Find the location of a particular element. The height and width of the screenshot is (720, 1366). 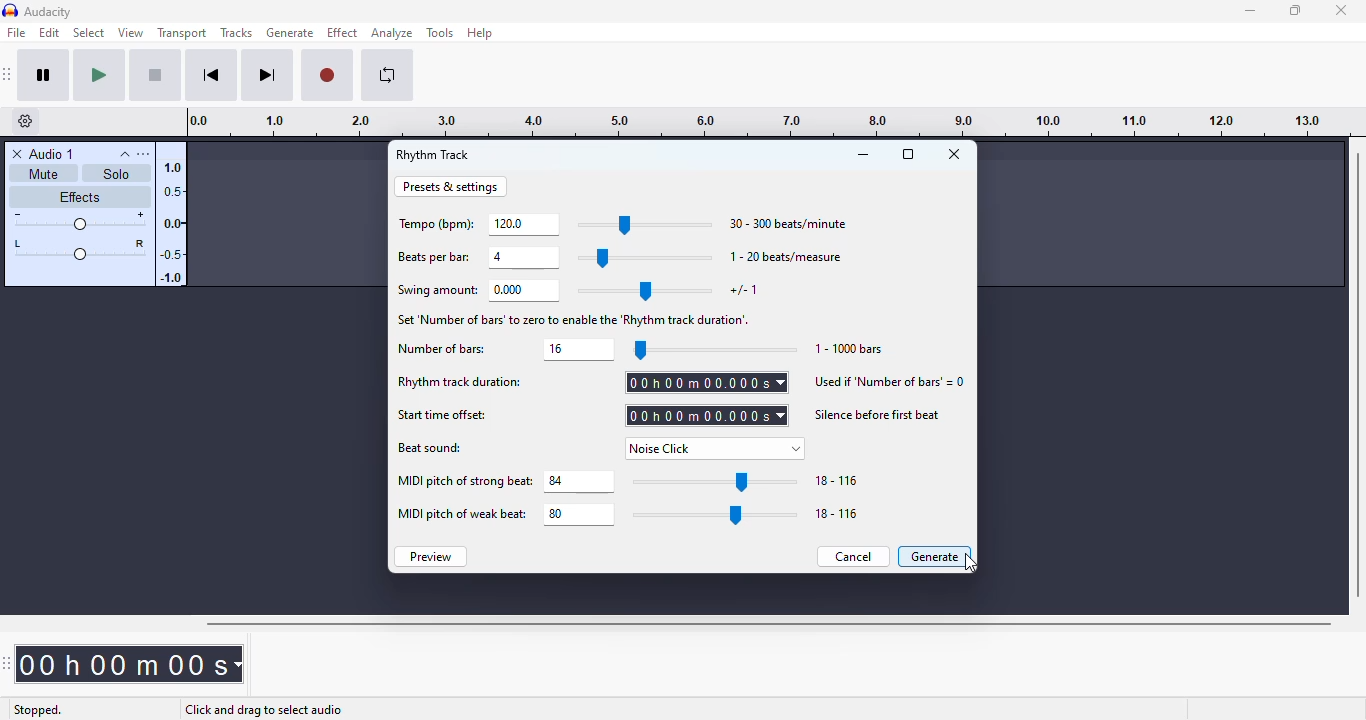

MIDI pitch of strong beat is located at coordinates (465, 481).